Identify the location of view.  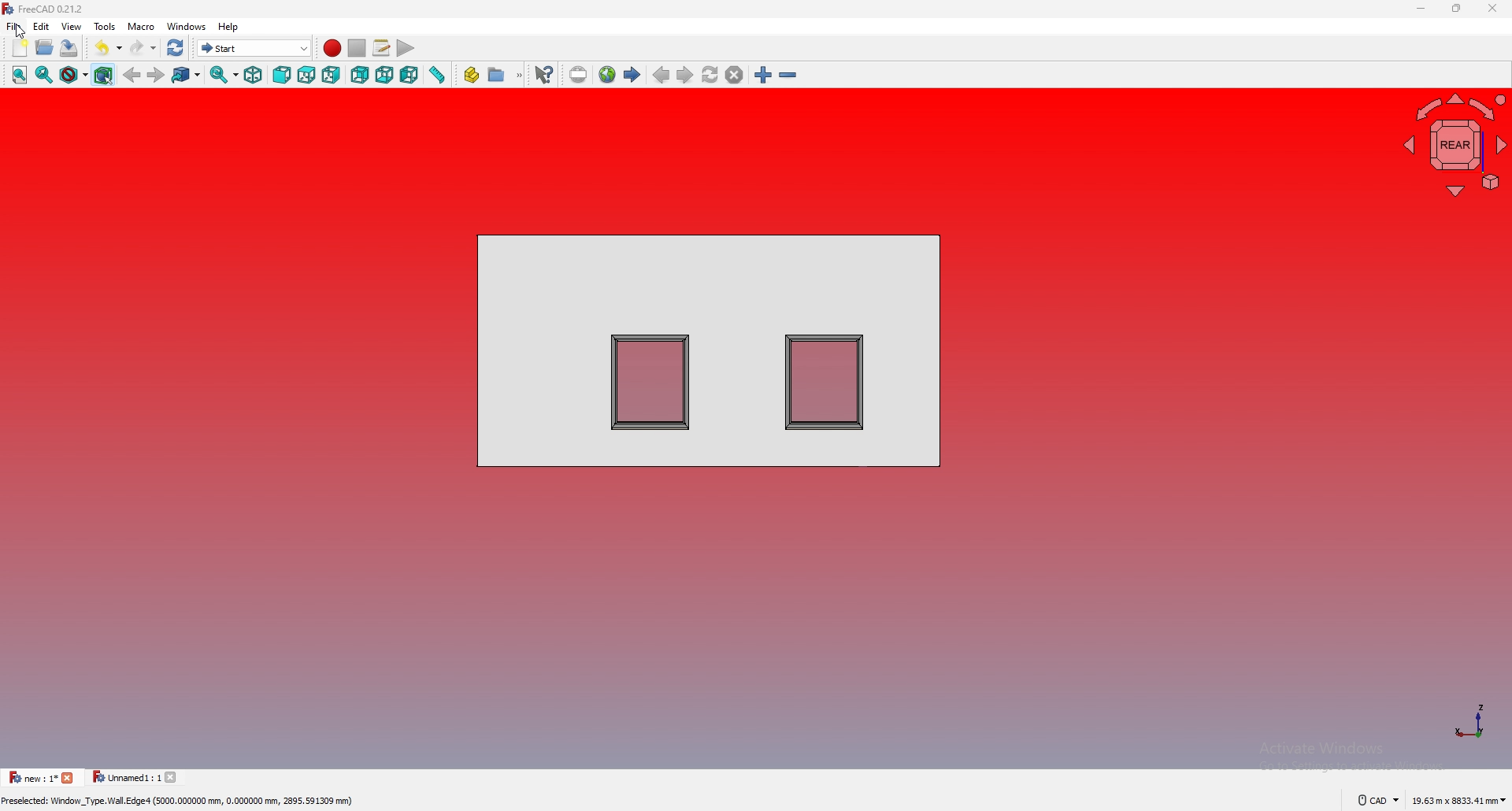
(72, 26).